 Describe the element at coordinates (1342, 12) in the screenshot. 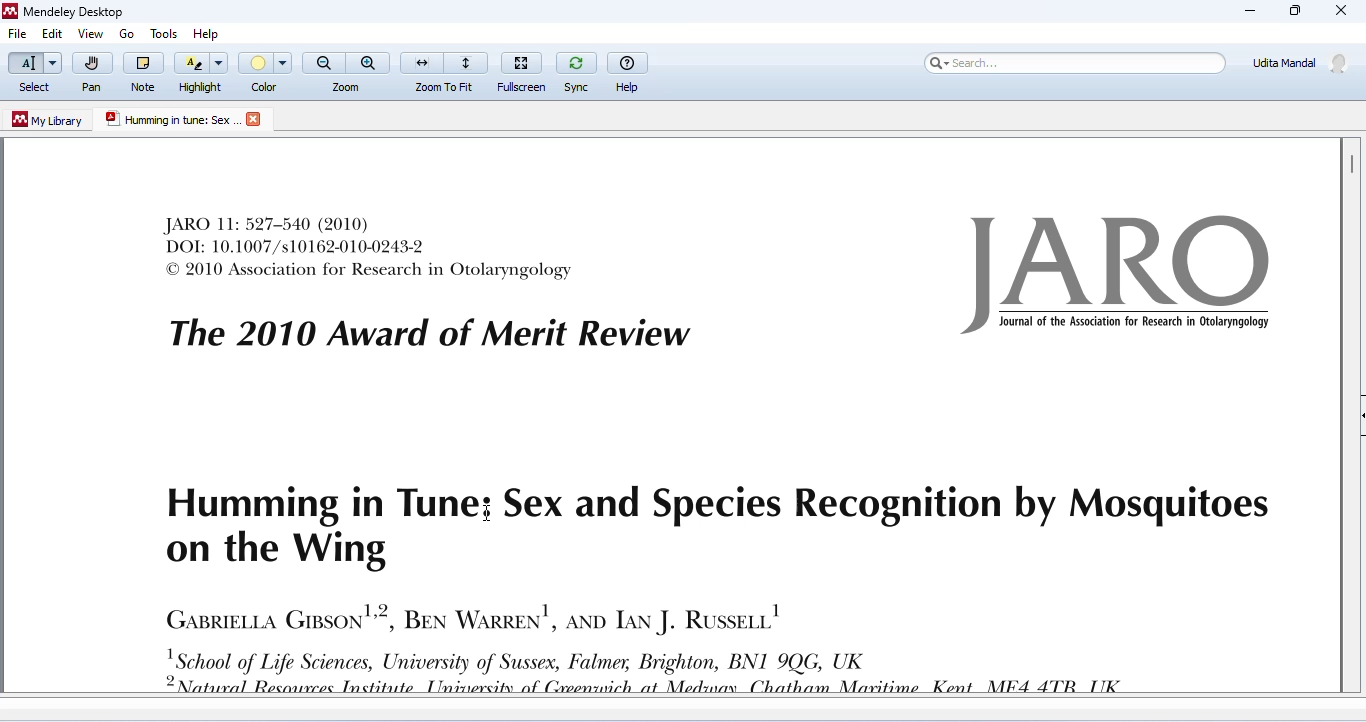

I see `close` at that location.